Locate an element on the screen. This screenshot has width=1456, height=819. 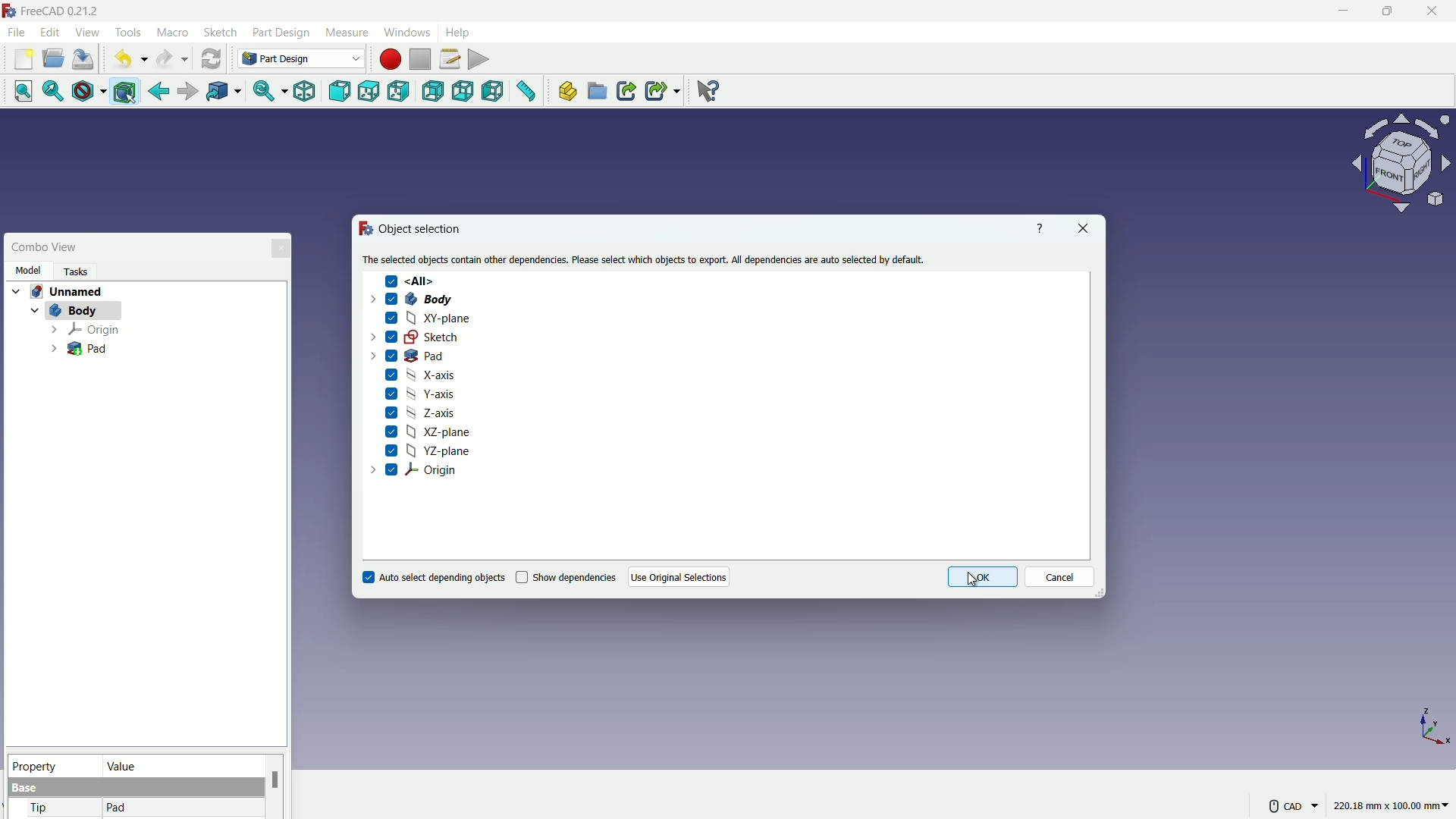
axis is located at coordinates (1435, 726).